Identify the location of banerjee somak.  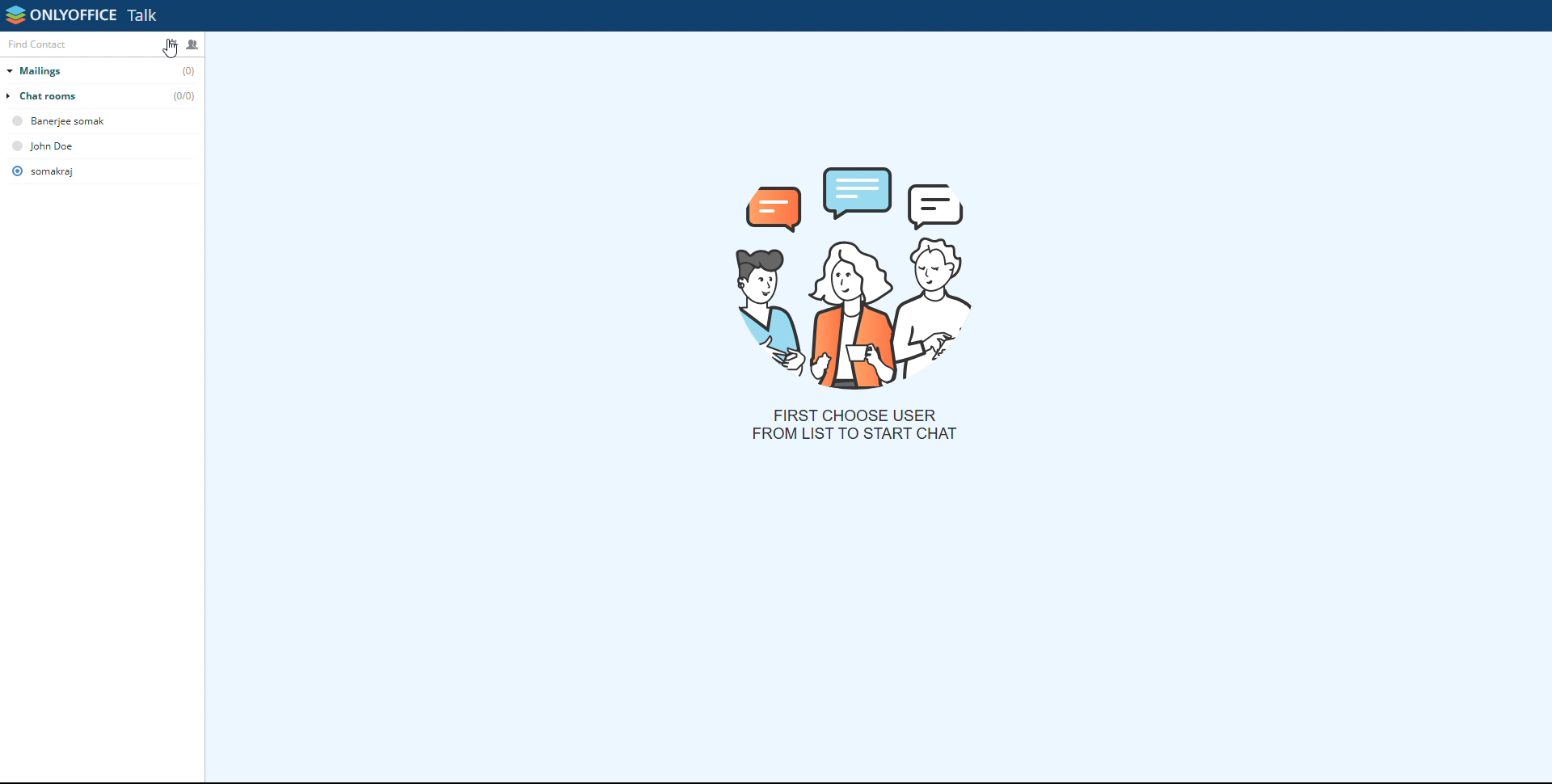
(99, 120).